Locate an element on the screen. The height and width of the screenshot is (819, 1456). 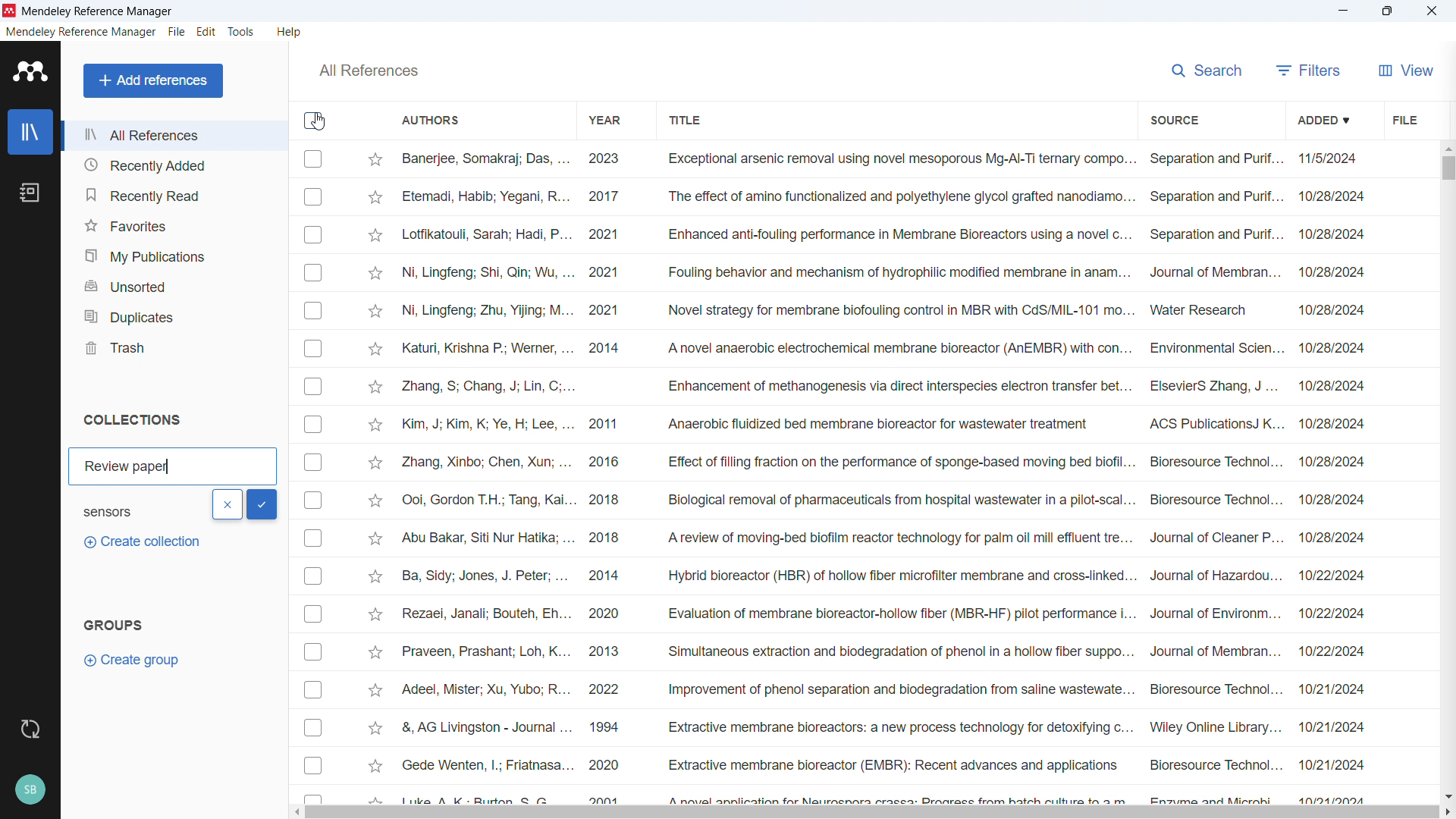
minimise  is located at coordinates (1346, 11).